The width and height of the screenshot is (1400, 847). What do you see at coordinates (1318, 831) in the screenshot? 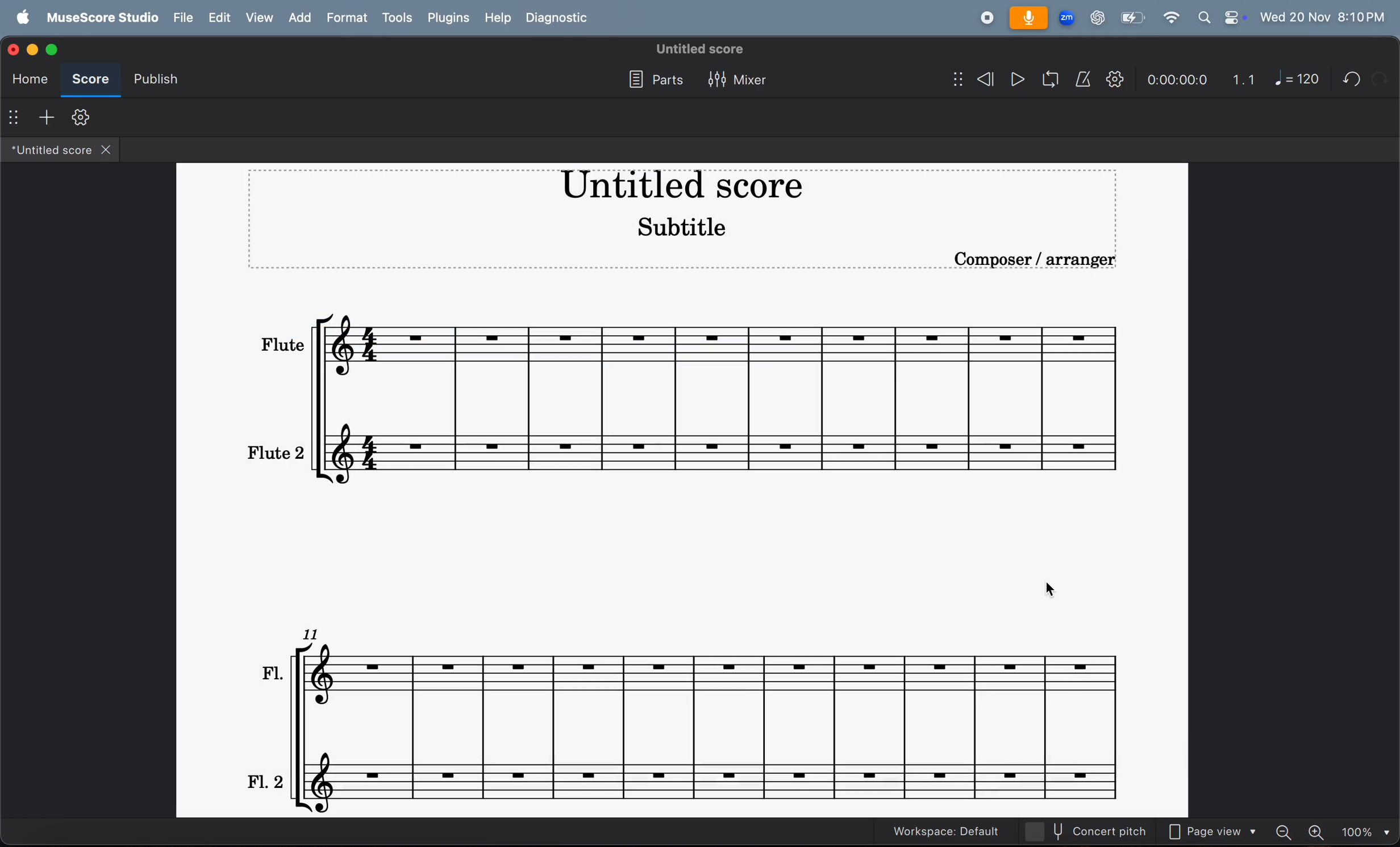
I see `zoom in` at bounding box center [1318, 831].